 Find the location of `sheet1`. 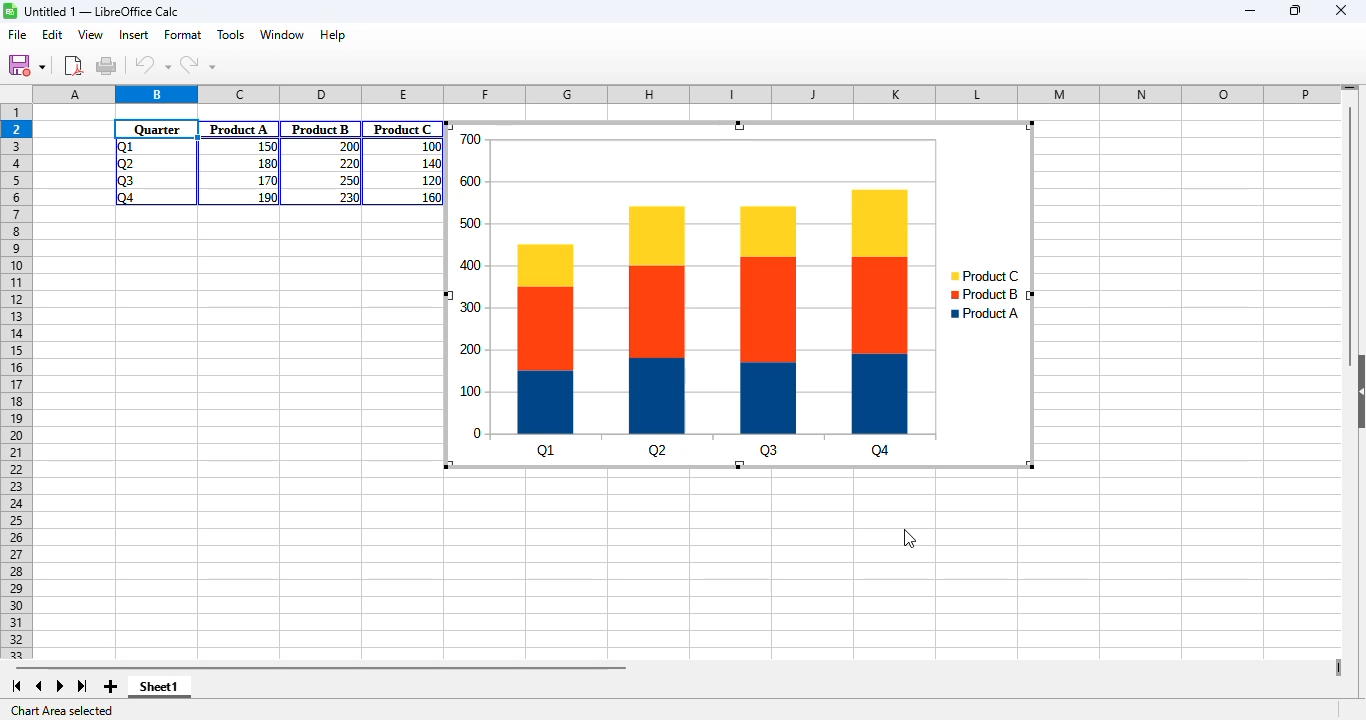

sheet1 is located at coordinates (159, 687).